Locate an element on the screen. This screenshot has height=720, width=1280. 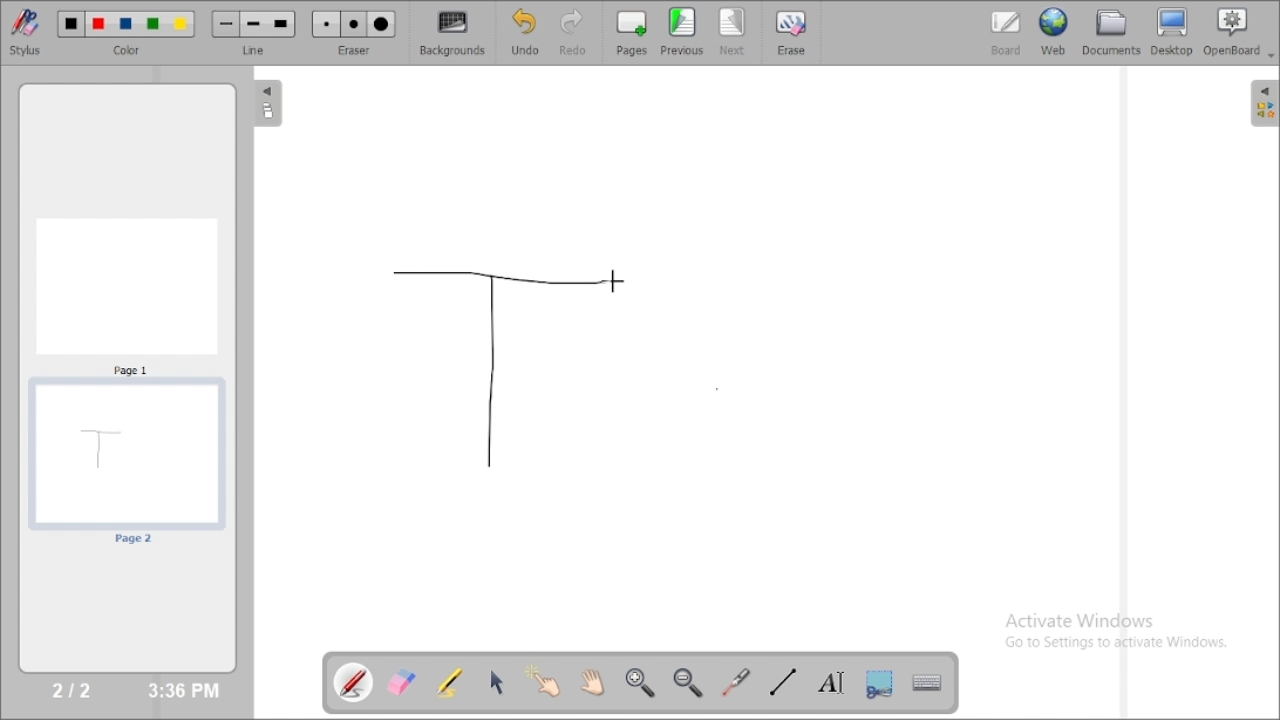
highlight is located at coordinates (449, 681).